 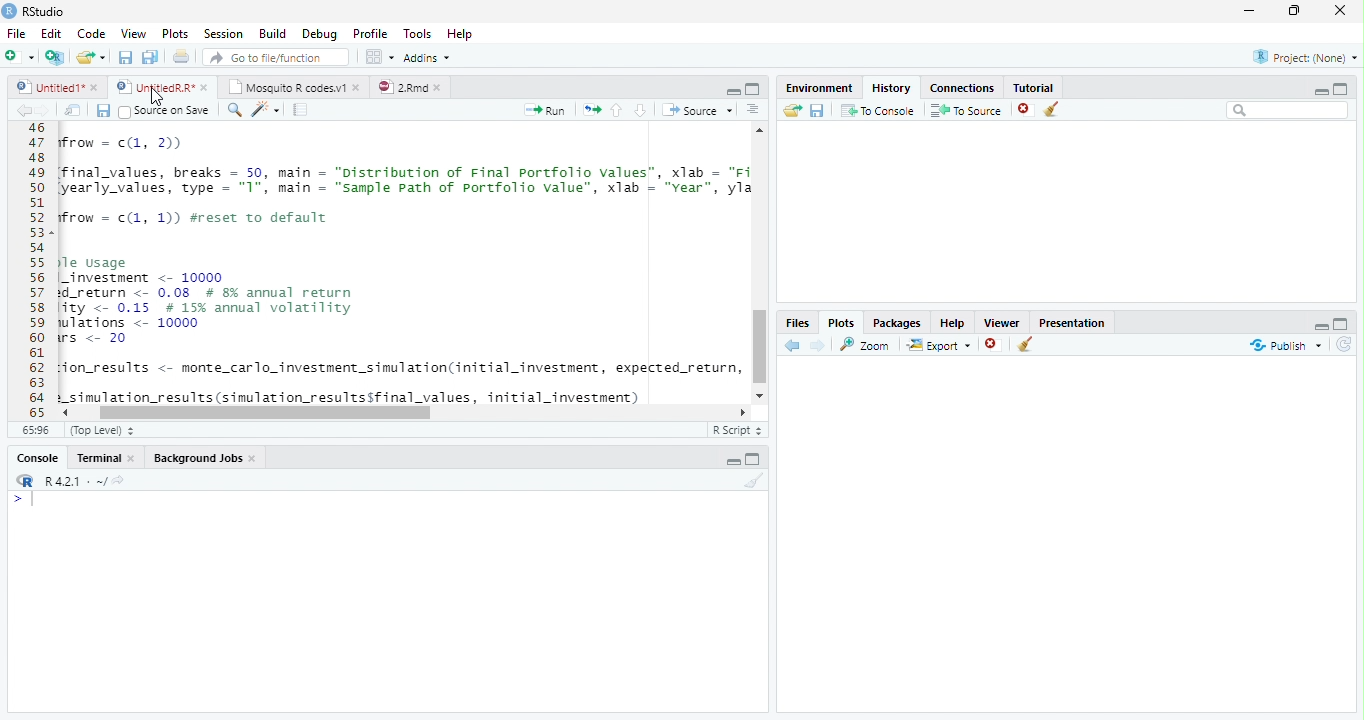 What do you see at coordinates (55, 86) in the screenshot?
I see `Untited1*` at bounding box center [55, 86].